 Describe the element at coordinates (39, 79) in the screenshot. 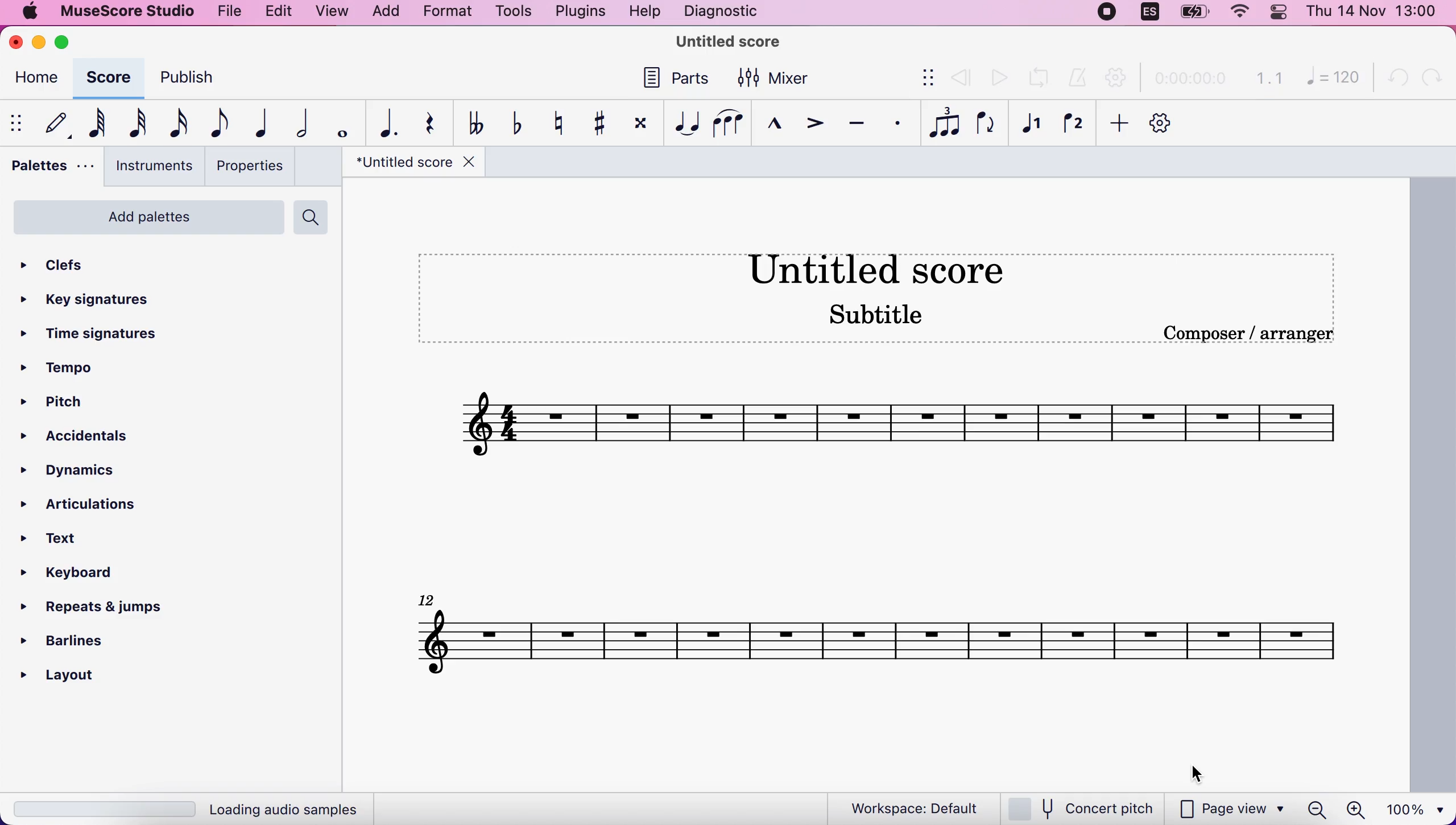

I see `home` at that location.